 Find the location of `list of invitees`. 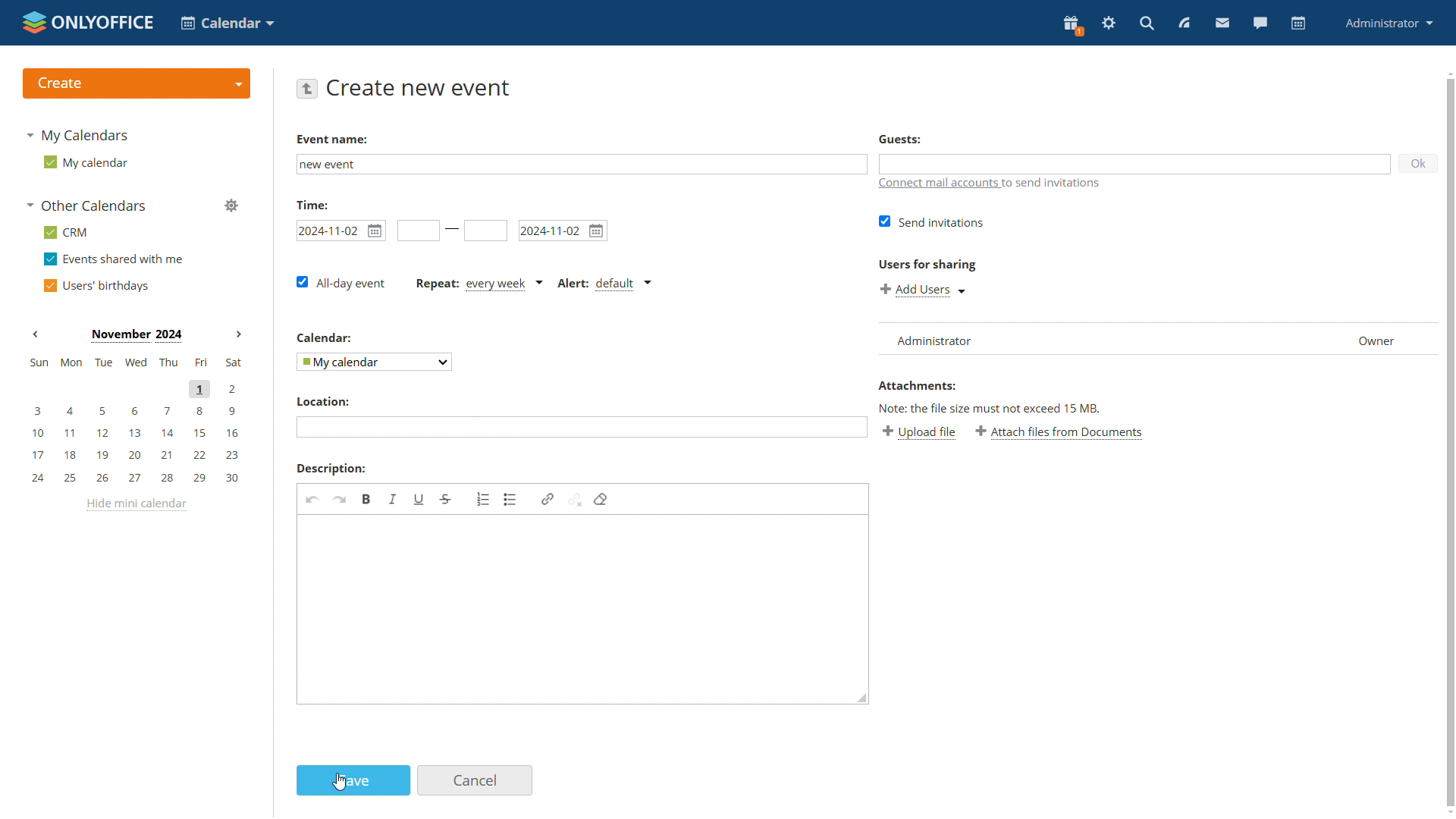

list of invitees is located at coordinates (1156, 337).